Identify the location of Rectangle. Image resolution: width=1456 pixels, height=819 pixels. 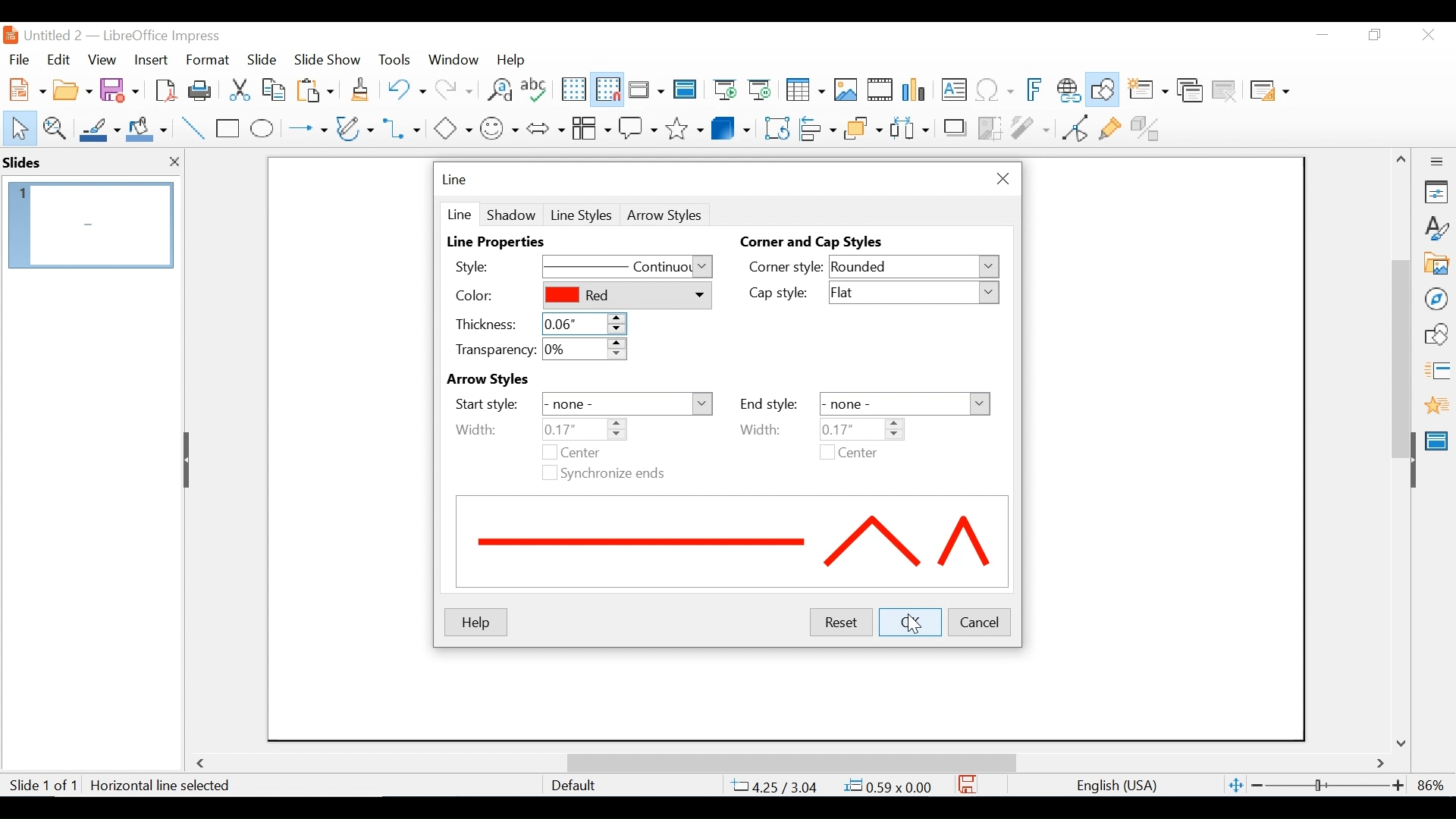
(229, 129).